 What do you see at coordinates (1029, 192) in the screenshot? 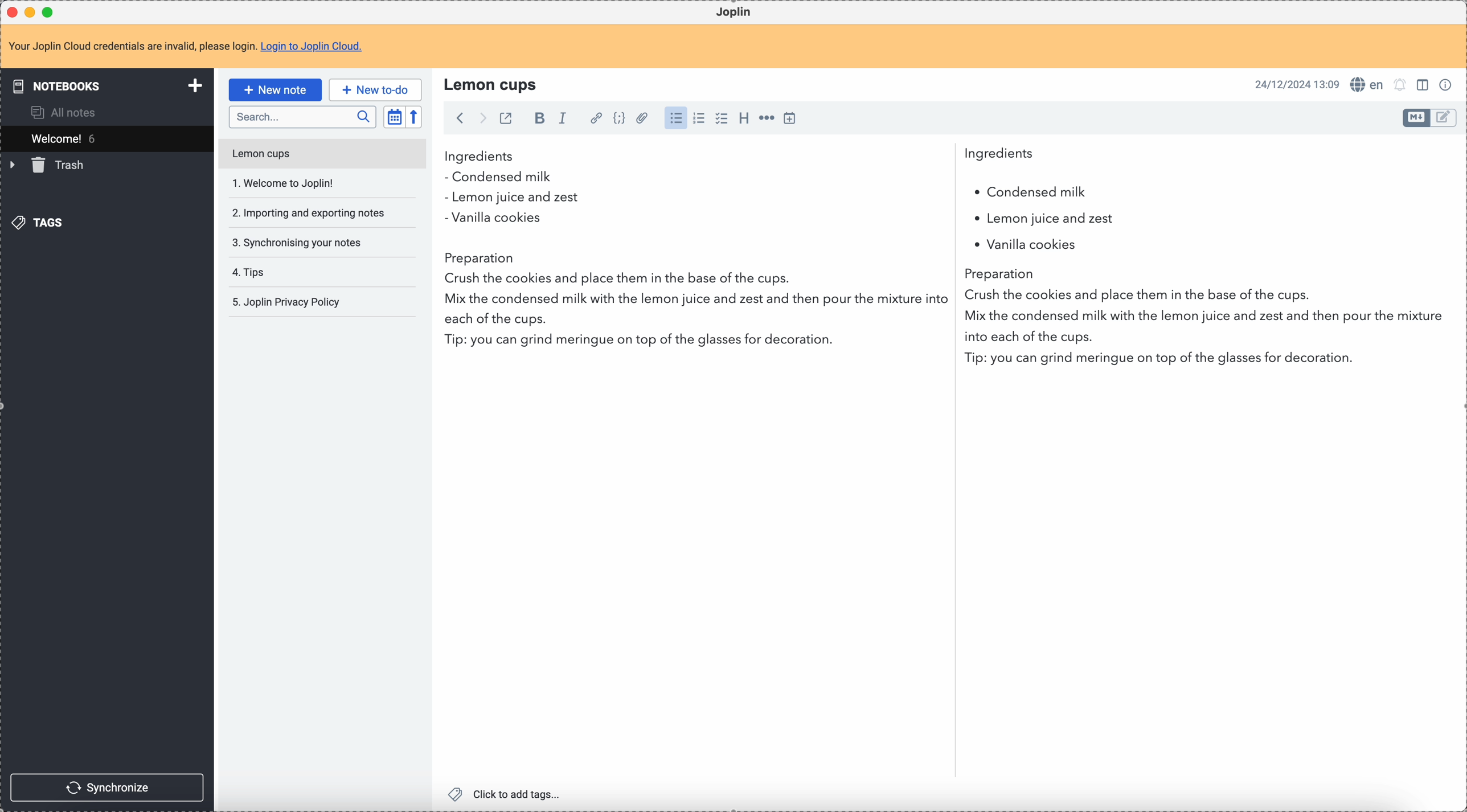
I see `condensed milk` at bounding box center [1029, 192].